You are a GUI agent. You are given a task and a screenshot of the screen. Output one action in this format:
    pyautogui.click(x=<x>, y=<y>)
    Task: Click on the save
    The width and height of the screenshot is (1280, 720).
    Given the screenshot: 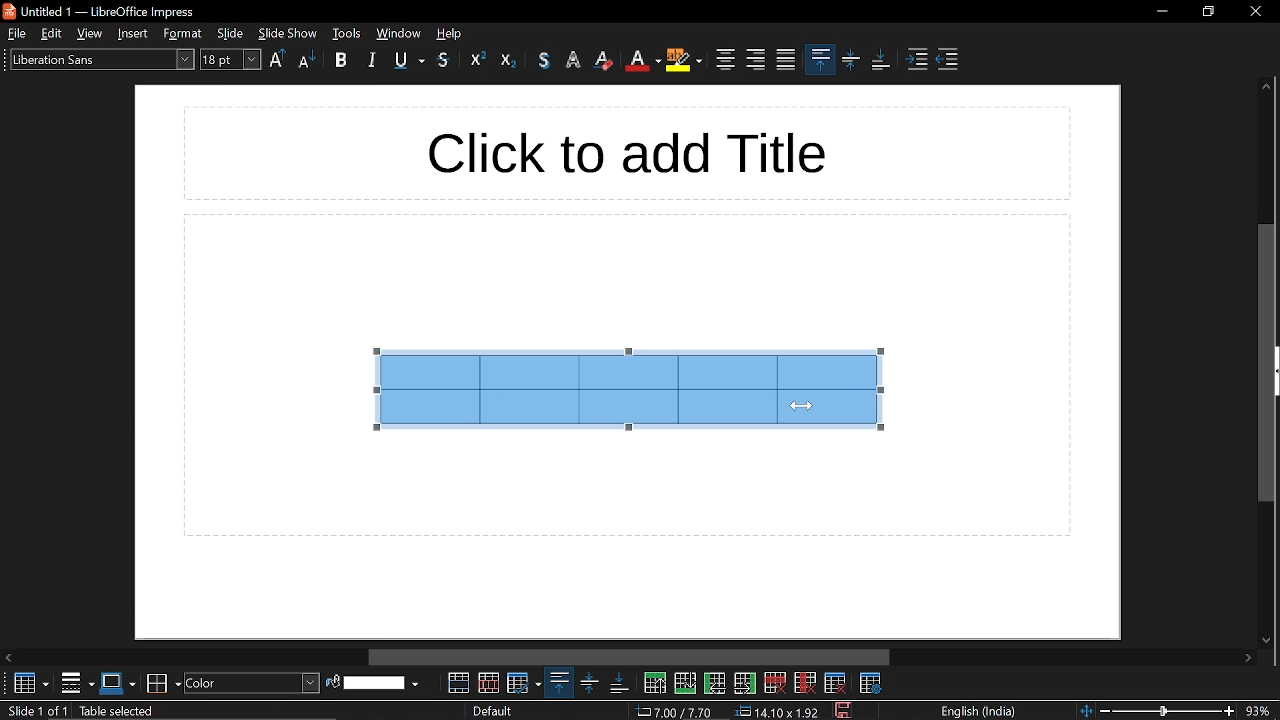 What is the action you would take?
    pyautogui.click(x=842, y=709)
    